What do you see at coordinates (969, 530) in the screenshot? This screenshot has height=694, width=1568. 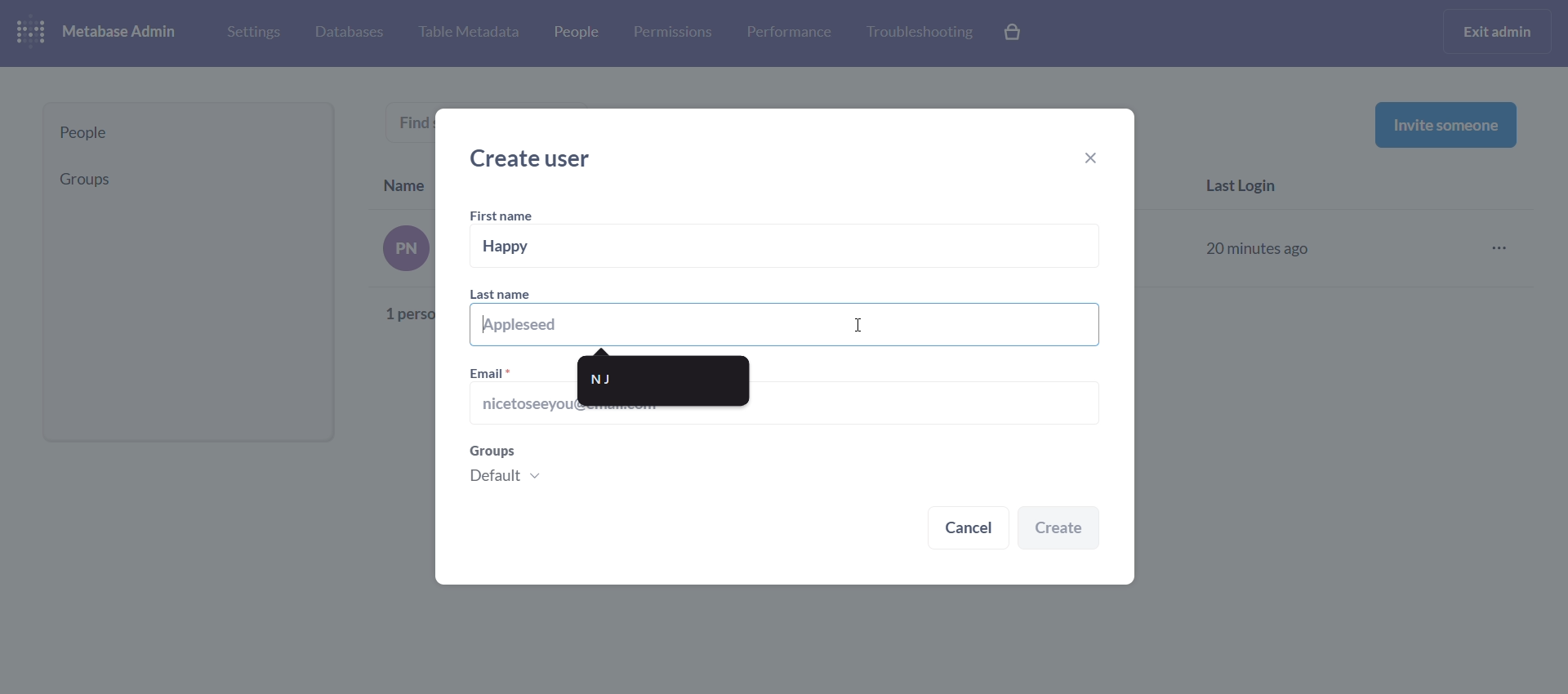 I see `cancel` at bounding box center [969, 530].